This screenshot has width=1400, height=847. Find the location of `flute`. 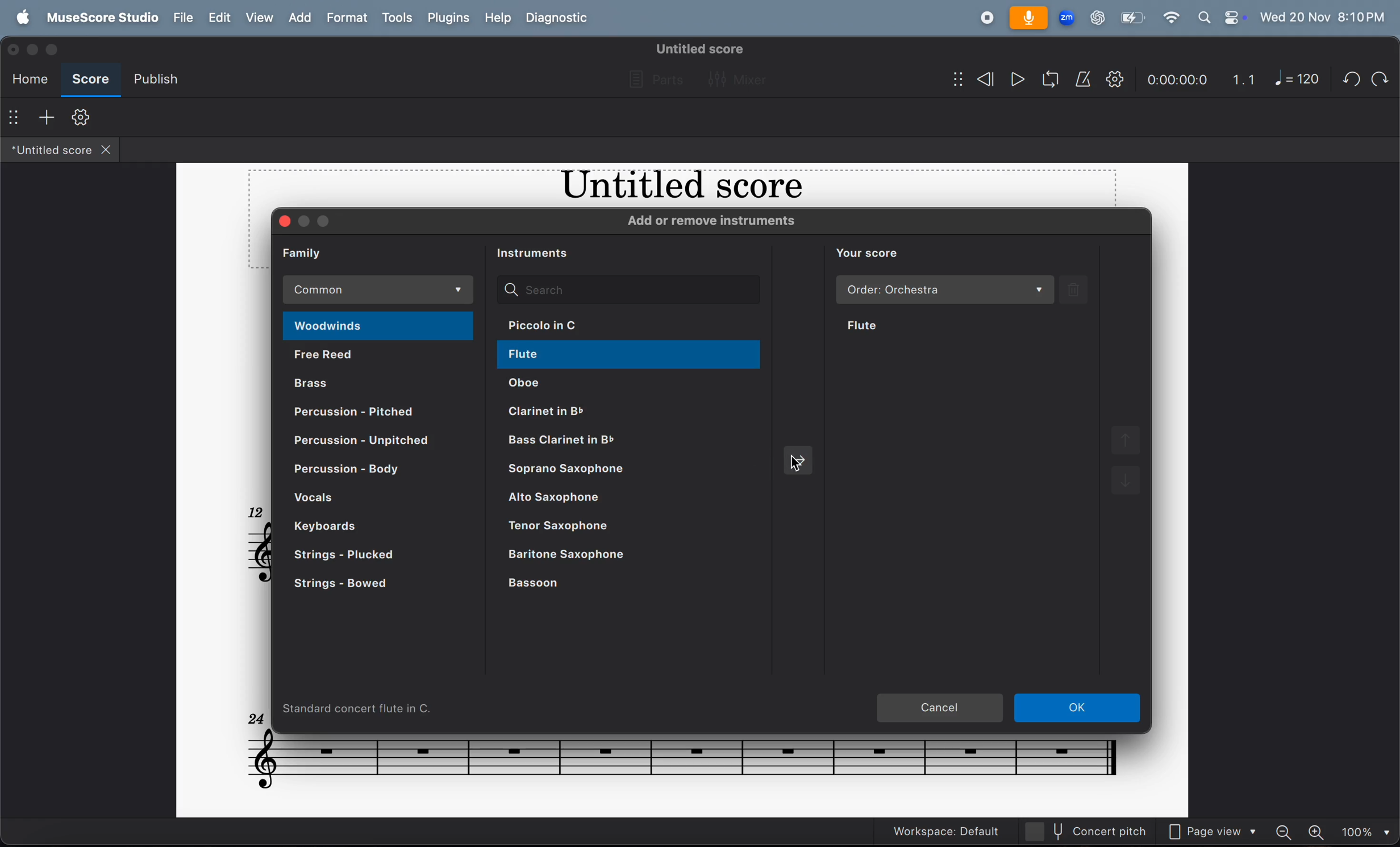

flute is located at coordinates (630, 354).